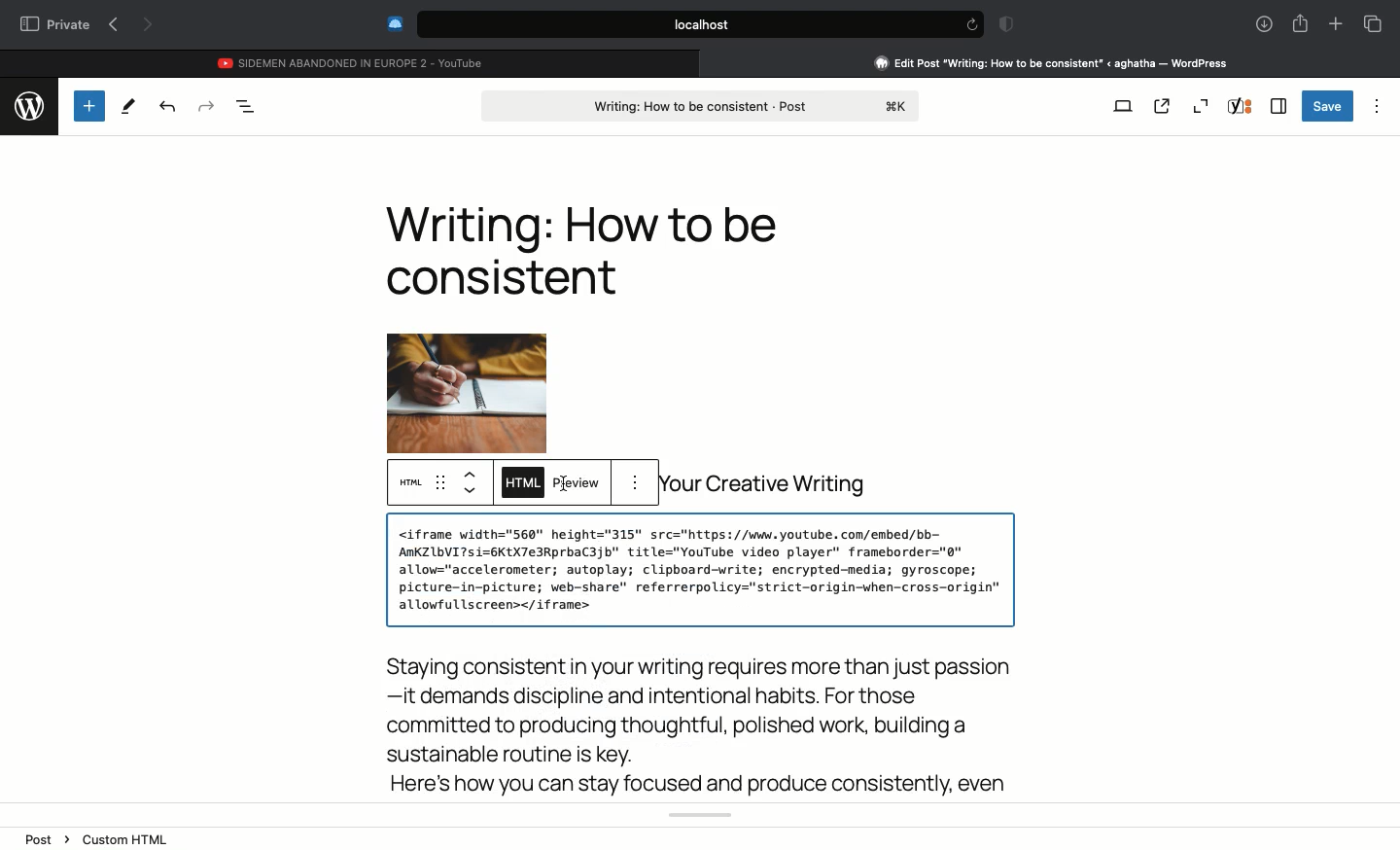  What do you see at coordinates (150, 26) in the screenshot?
I see `Next page` at bounding box center [150, 26].